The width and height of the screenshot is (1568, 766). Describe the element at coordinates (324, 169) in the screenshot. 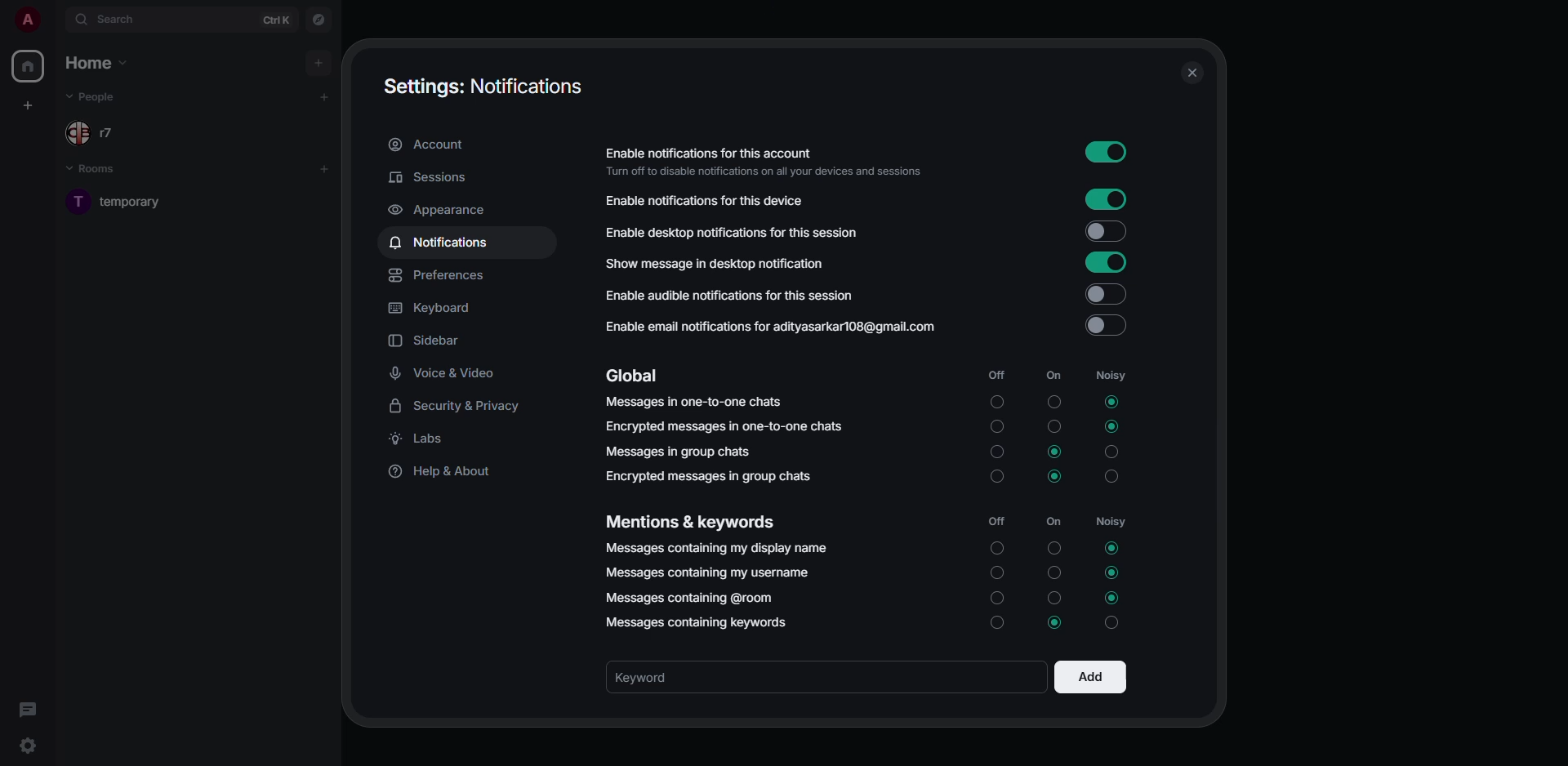

I see `add` at that location.